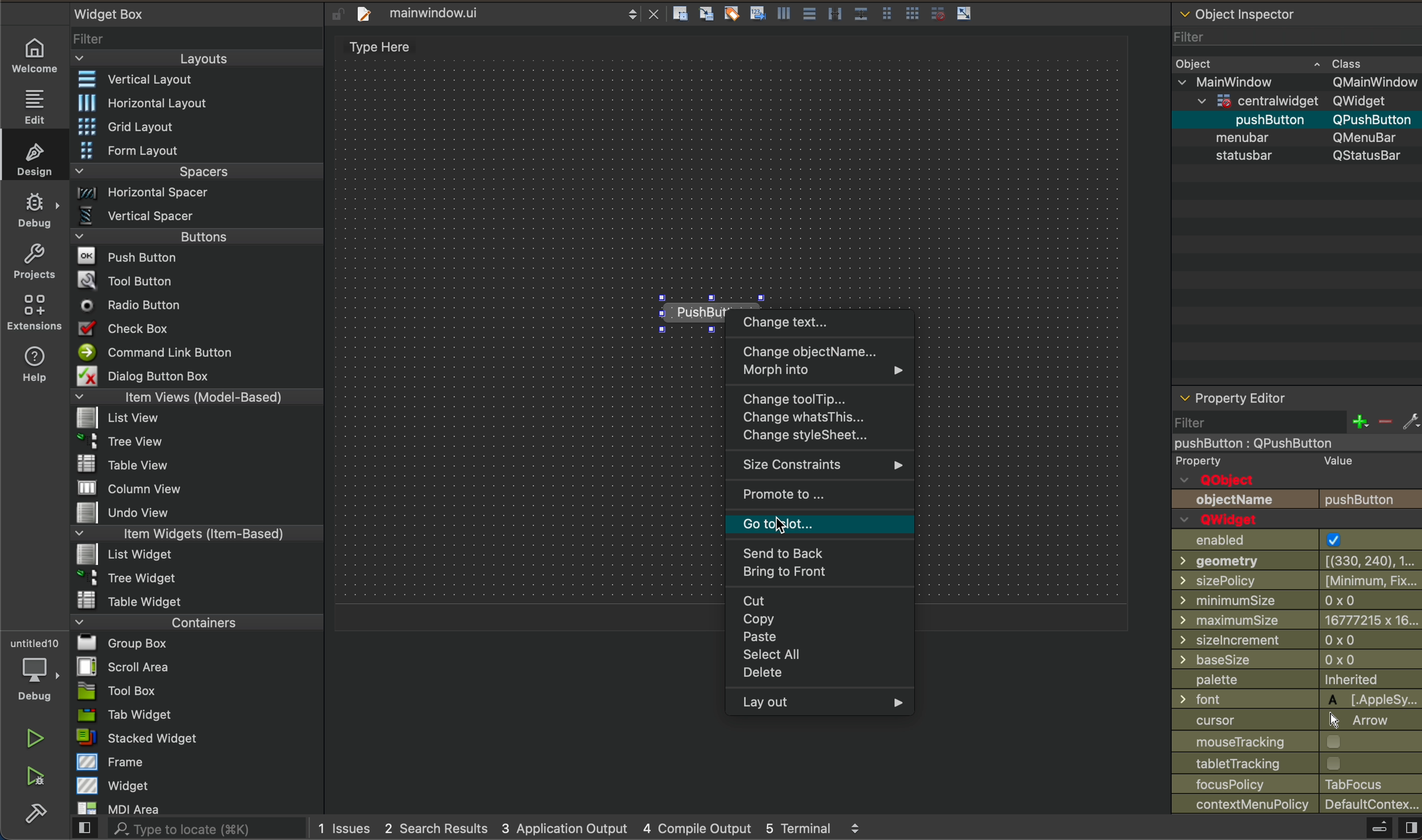 This screenshot has height=840, width=1422. Describe the element at coordinates (198, 282) in the screenshot. I see `tool button` at that location.